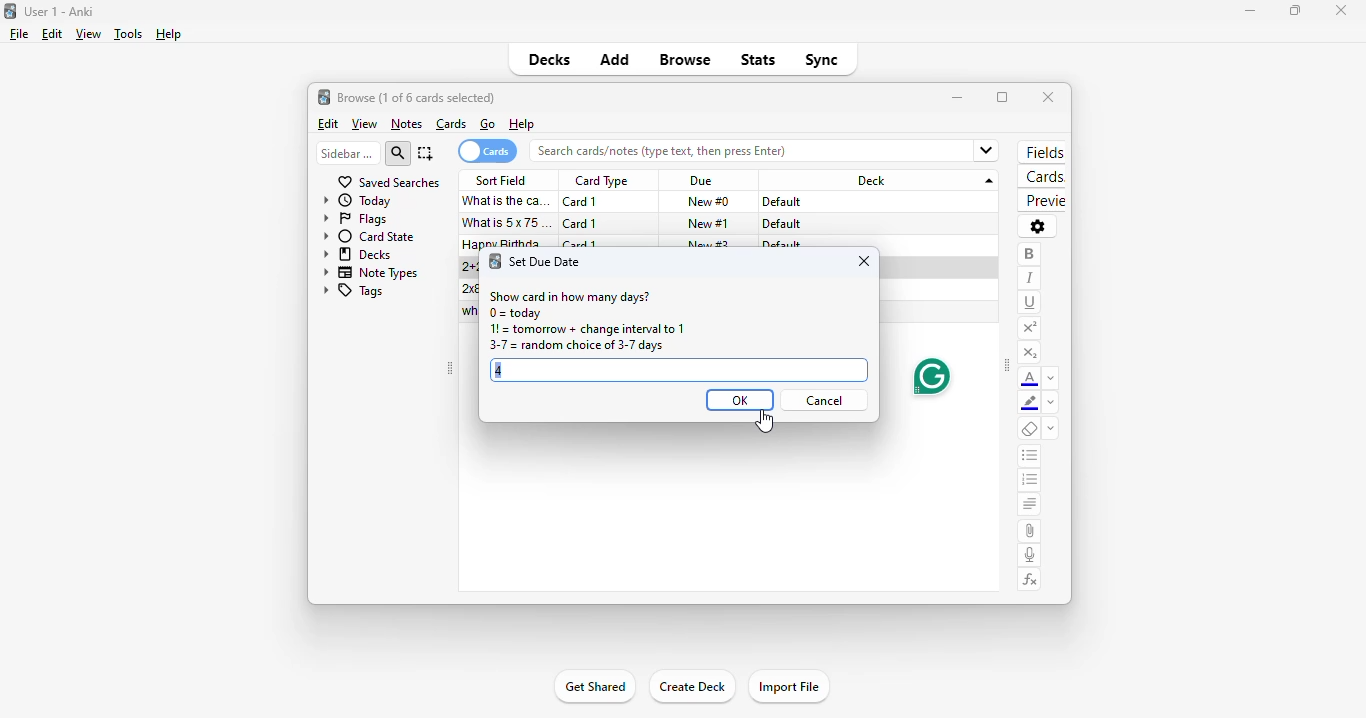 Image resolution: width=1366 pixels, height=718 pixels. I want to click on new #0, so click(708, 202).